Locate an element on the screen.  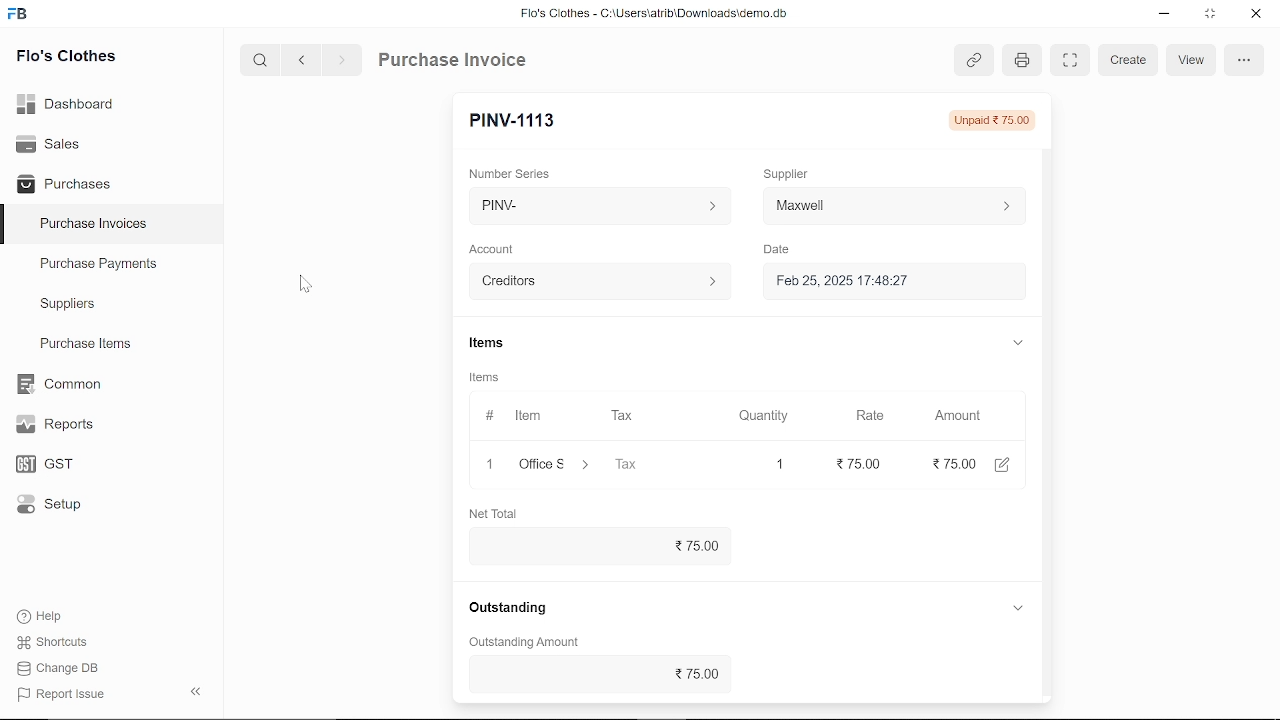
0.00 is located at coordinates (954, 465).